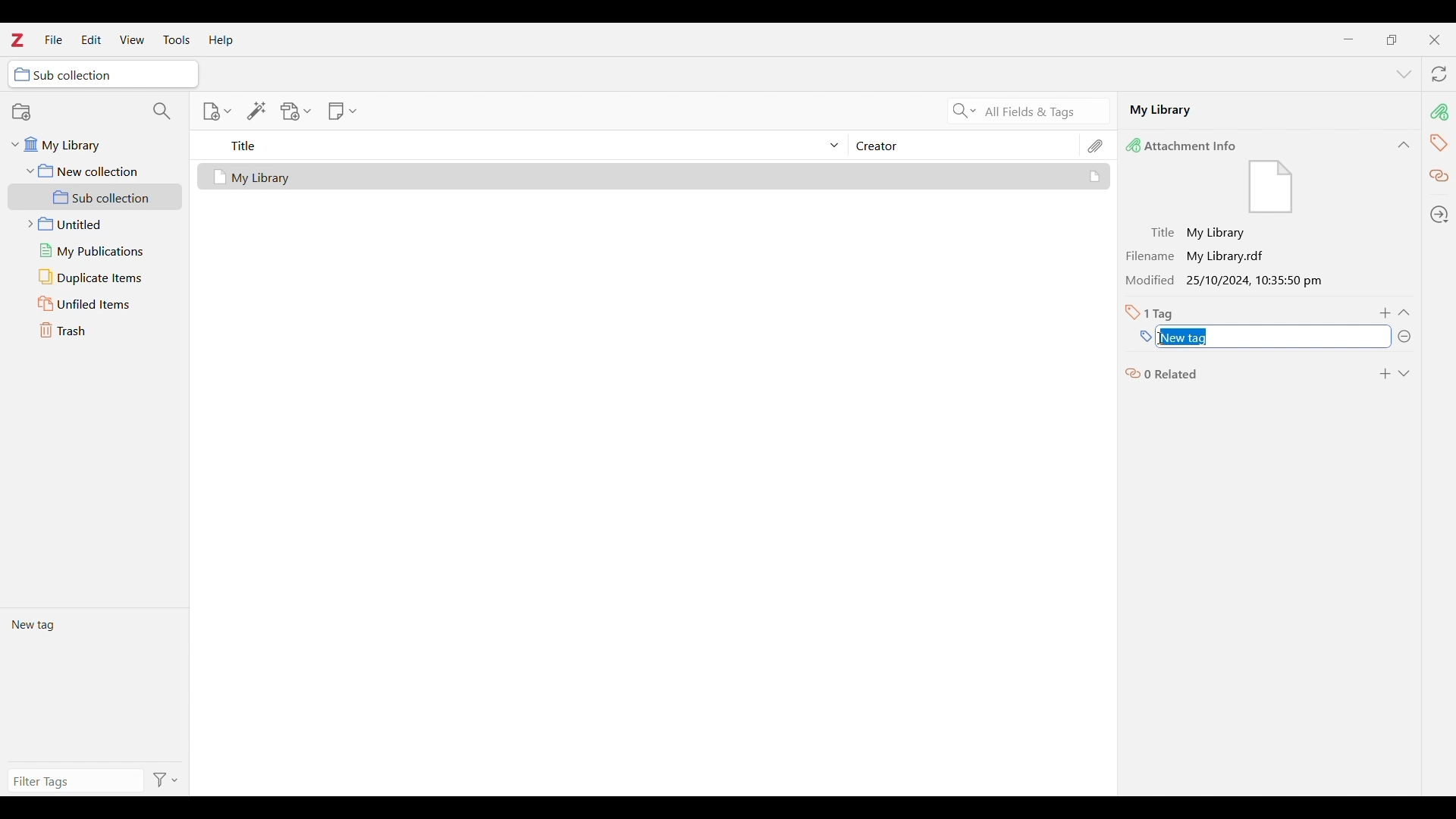 Image resolution: width=1456 pixels, height=819 pixels. Describe the element at coordinates (53, 39) in the screenshot. I see `File menu` at that location.